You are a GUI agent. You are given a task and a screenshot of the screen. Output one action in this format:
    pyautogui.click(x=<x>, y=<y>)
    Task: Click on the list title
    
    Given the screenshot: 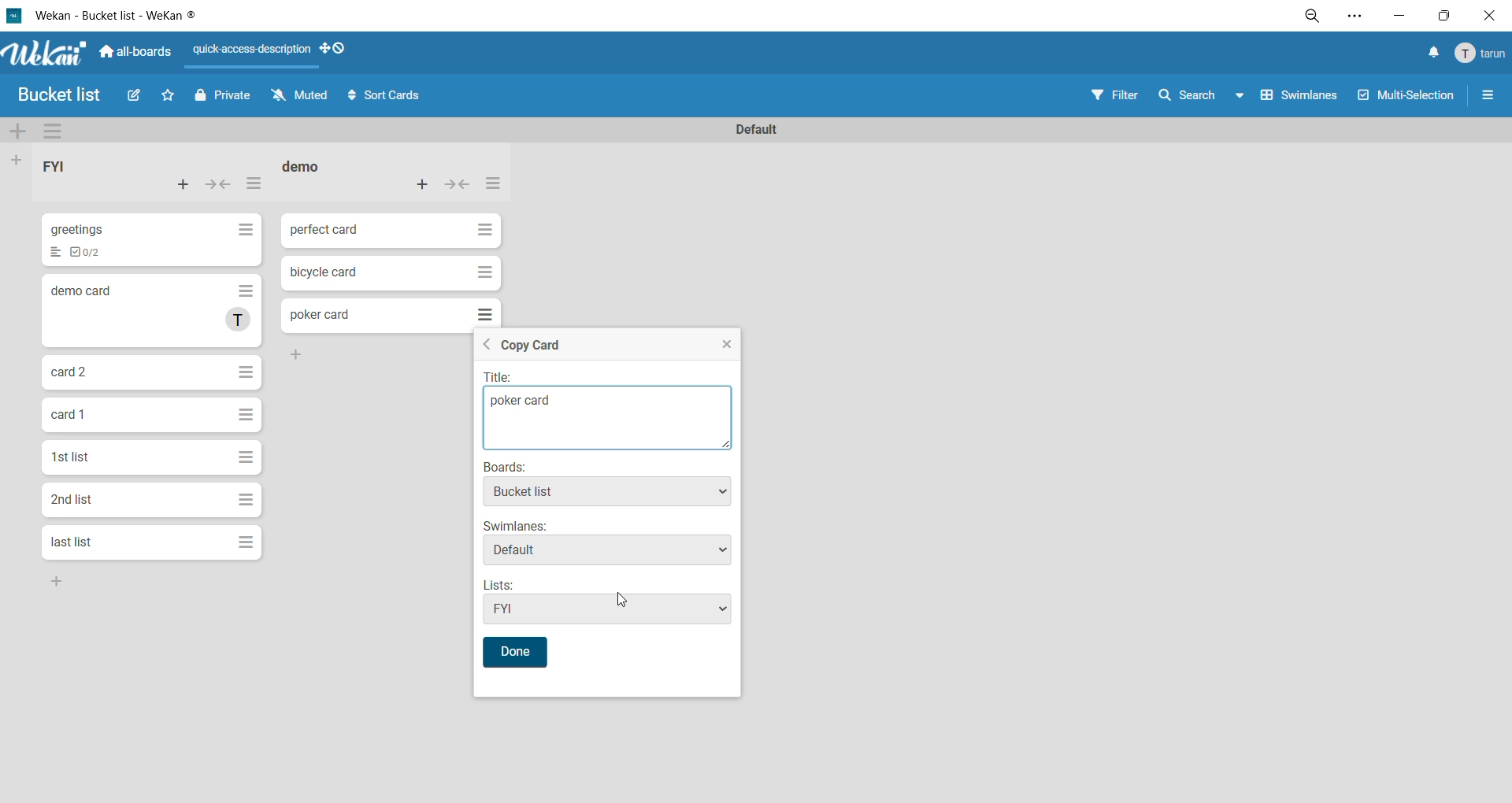 What is the action you would take?
    pyautogui.click(x=66, y=169)
    